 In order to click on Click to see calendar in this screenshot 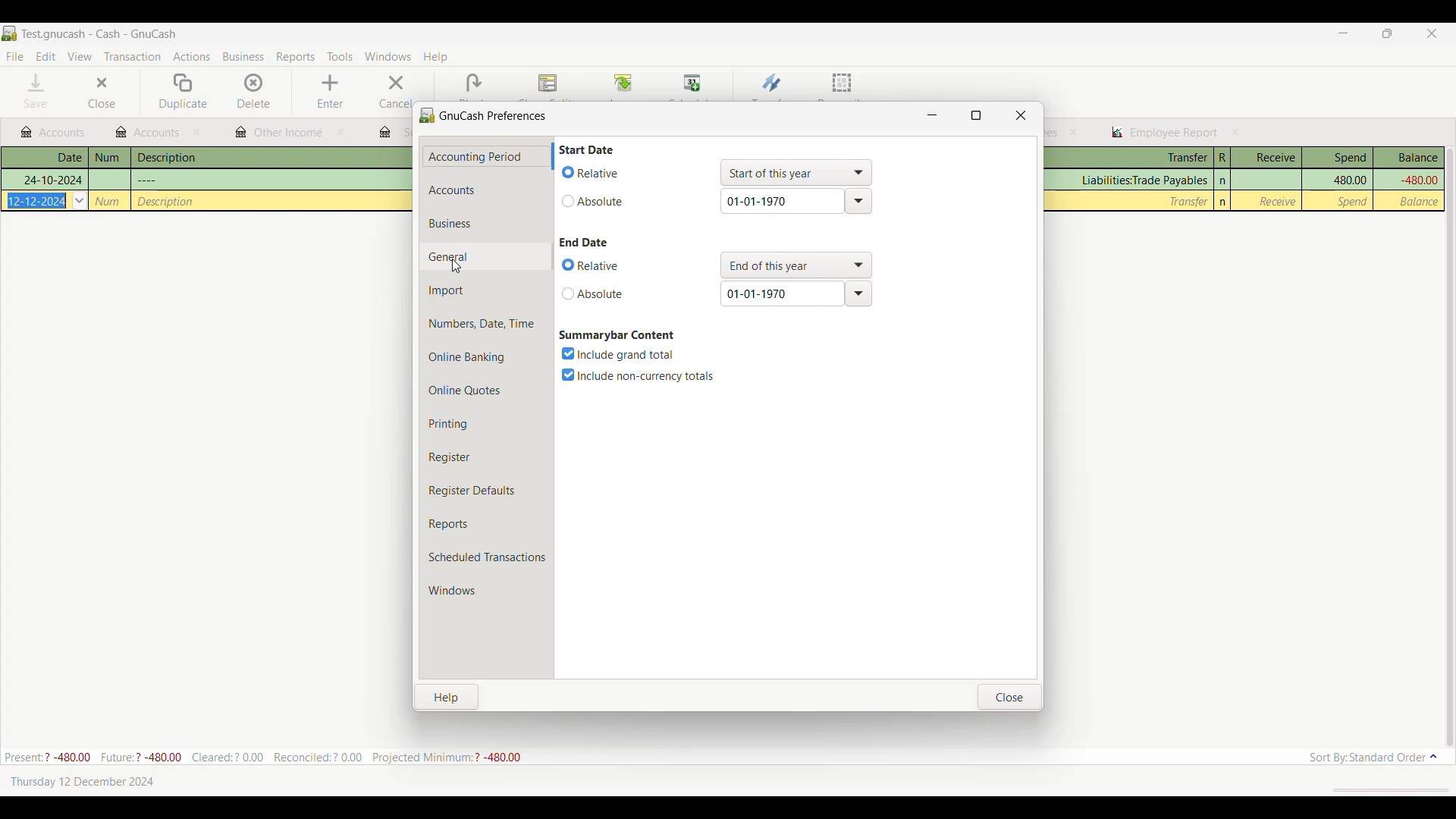, I will do `click(80, 200)`.